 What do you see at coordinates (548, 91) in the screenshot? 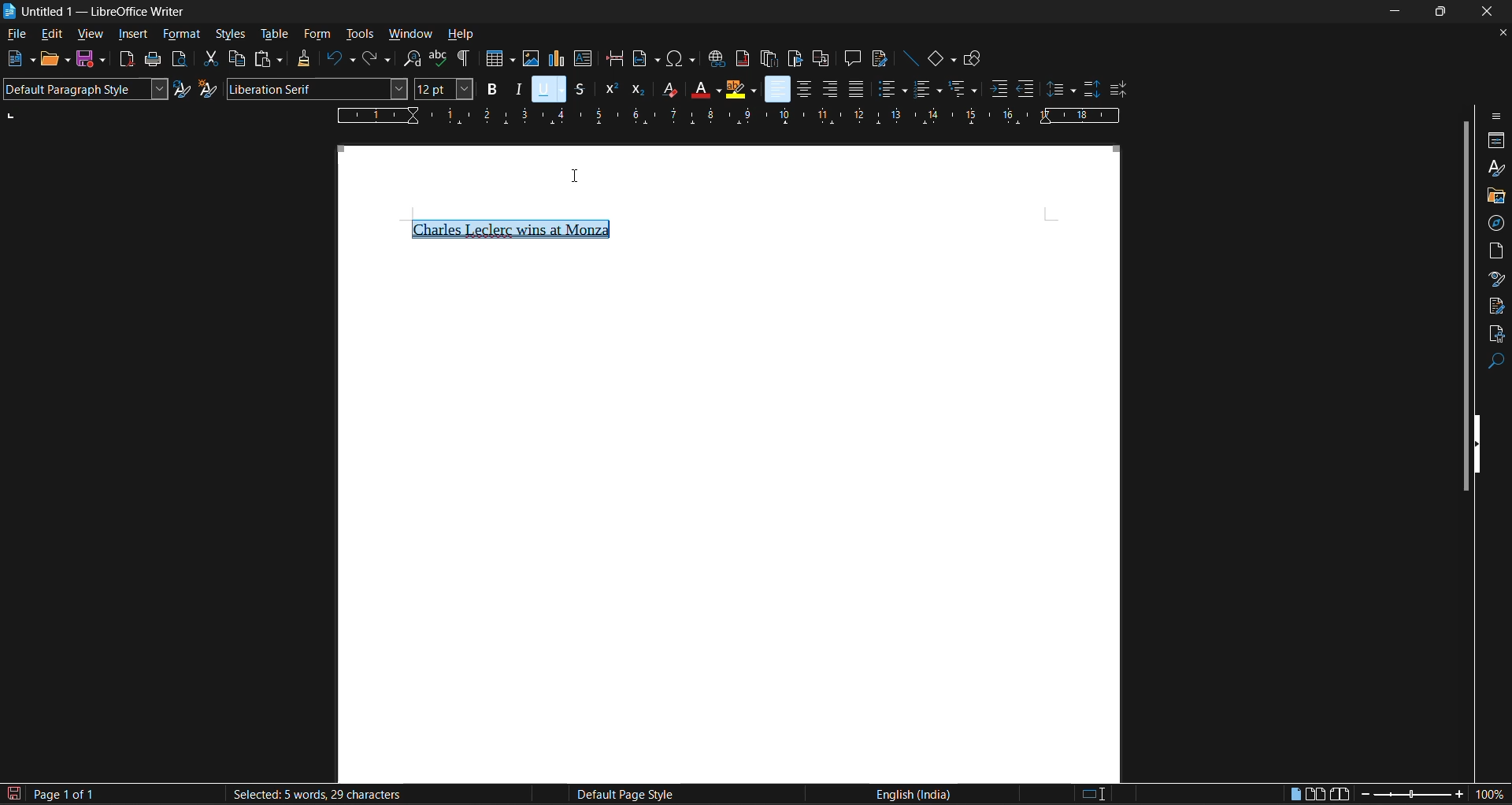
I see `underline icon highlighted` at bounding box center [548, 91].